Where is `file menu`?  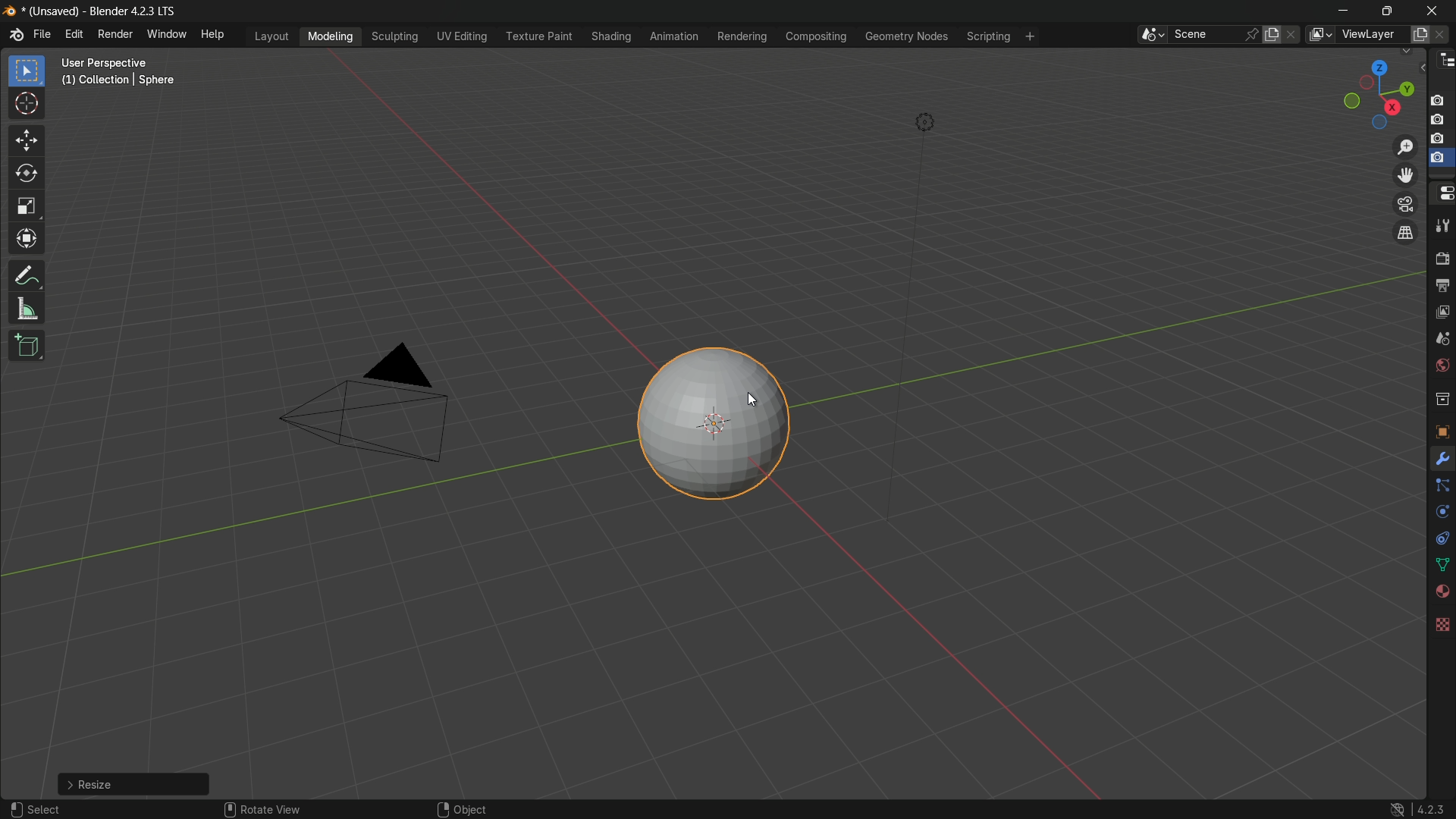 file menu is located at coordinates (43, 36).